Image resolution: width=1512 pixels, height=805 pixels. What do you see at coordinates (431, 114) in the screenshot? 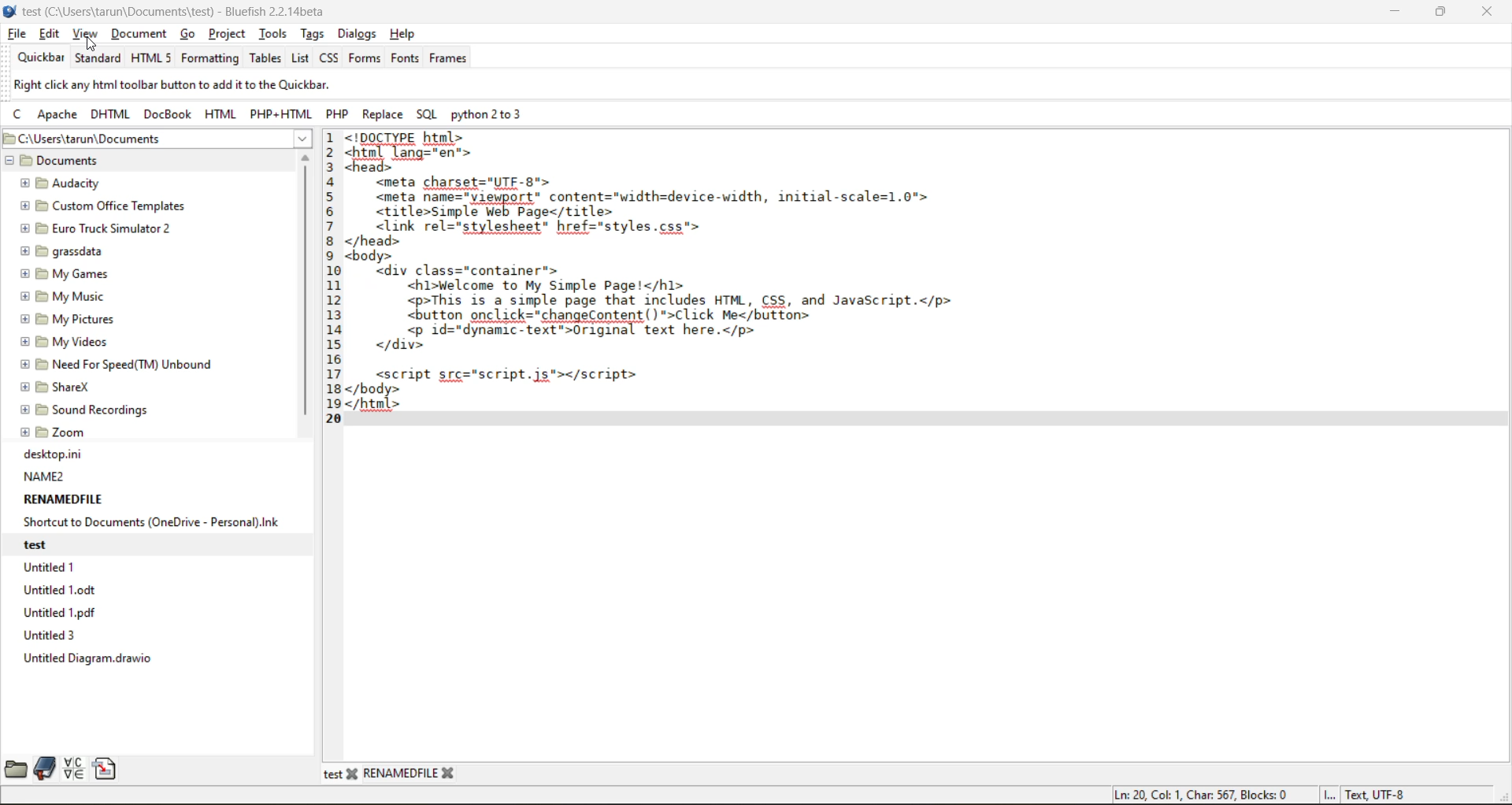
I see `sql` at bounding box center [431, 114].